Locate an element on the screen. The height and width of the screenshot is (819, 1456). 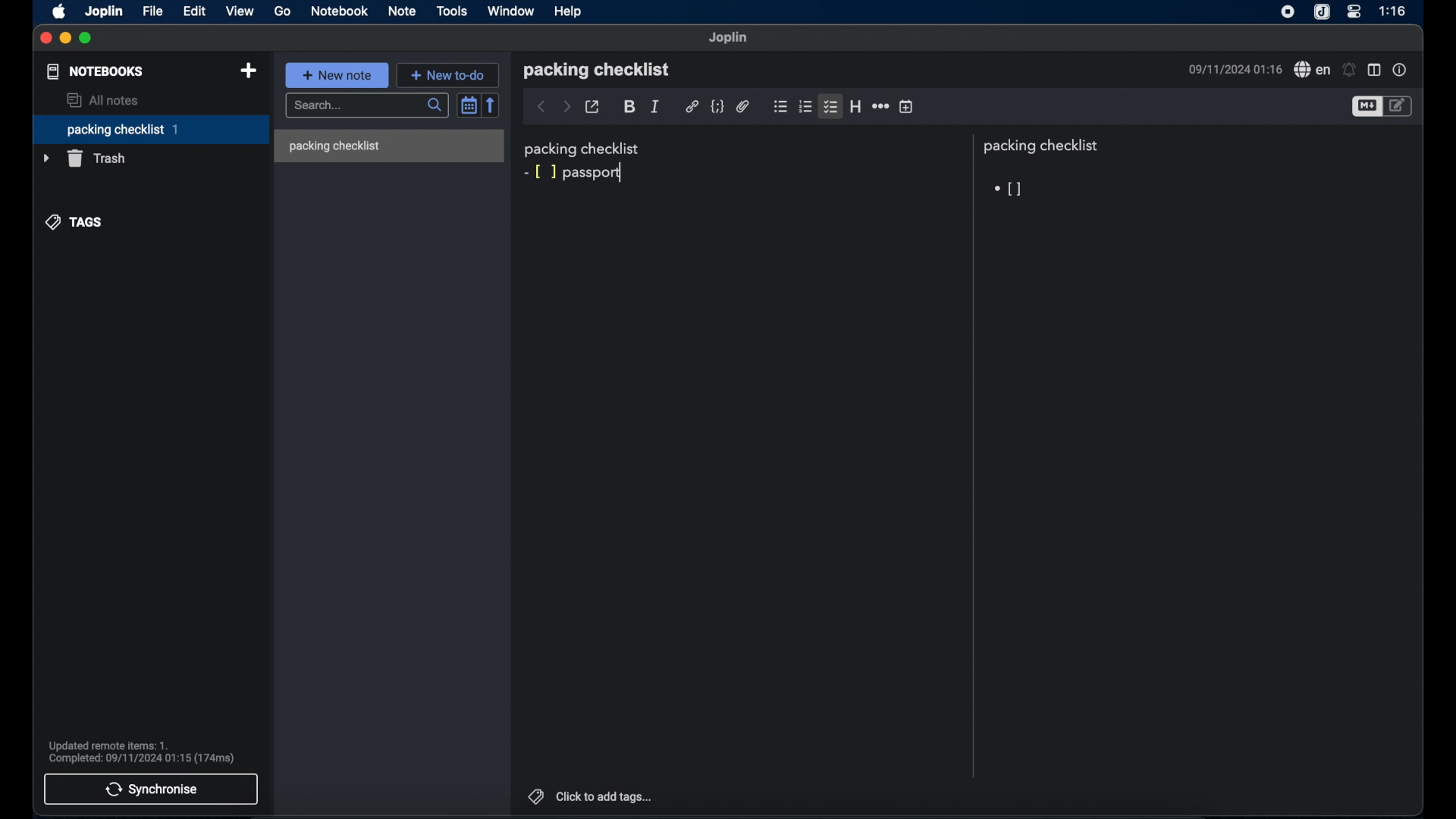
search bar is located at coordinates (366, 105).